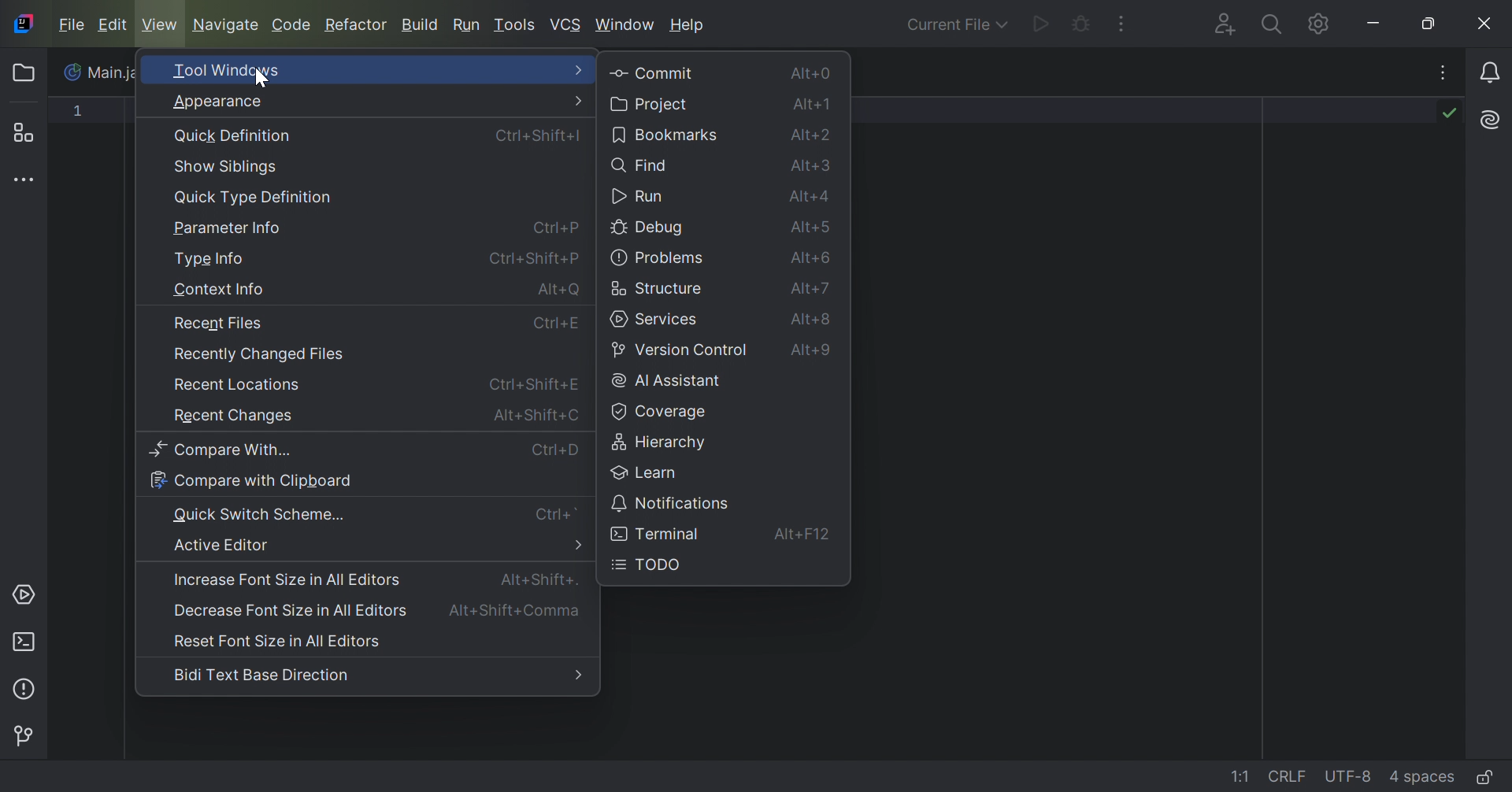 This screenshot has width=1512, height=792. I want to click on code, so click(291, 27).